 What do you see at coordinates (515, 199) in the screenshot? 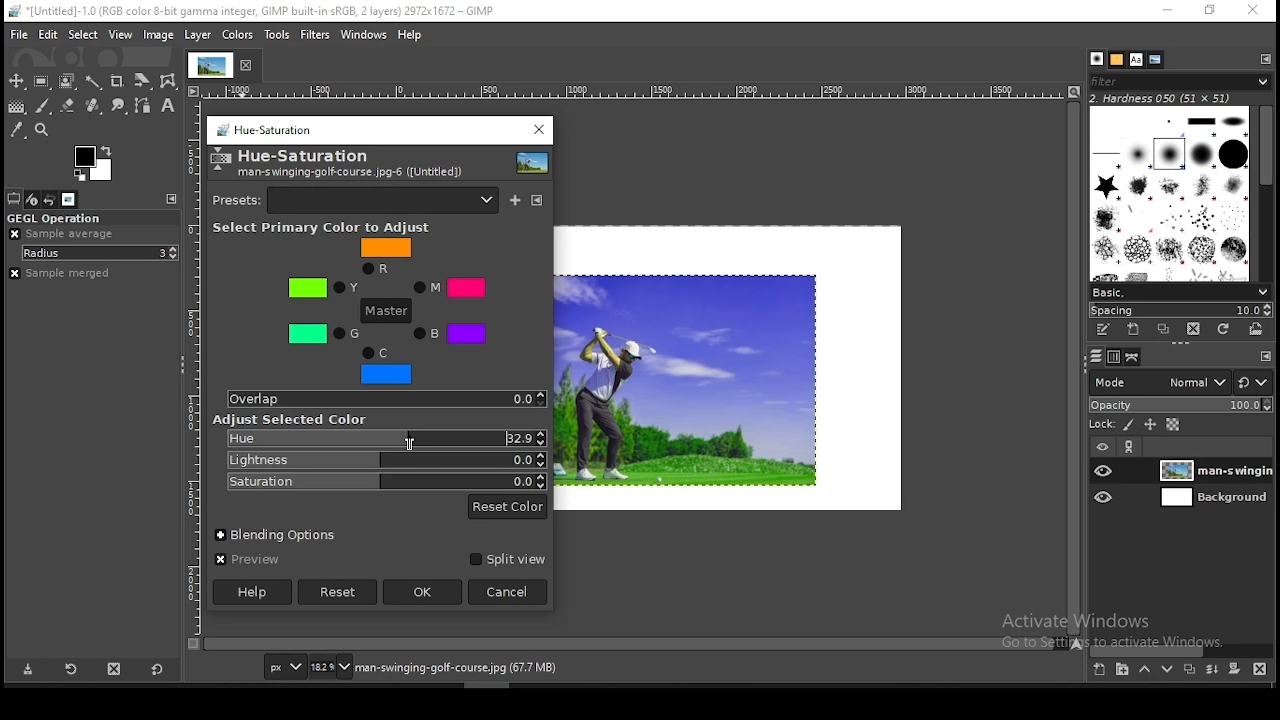
I see `save current as named preset` at bounding box center [515, 199].